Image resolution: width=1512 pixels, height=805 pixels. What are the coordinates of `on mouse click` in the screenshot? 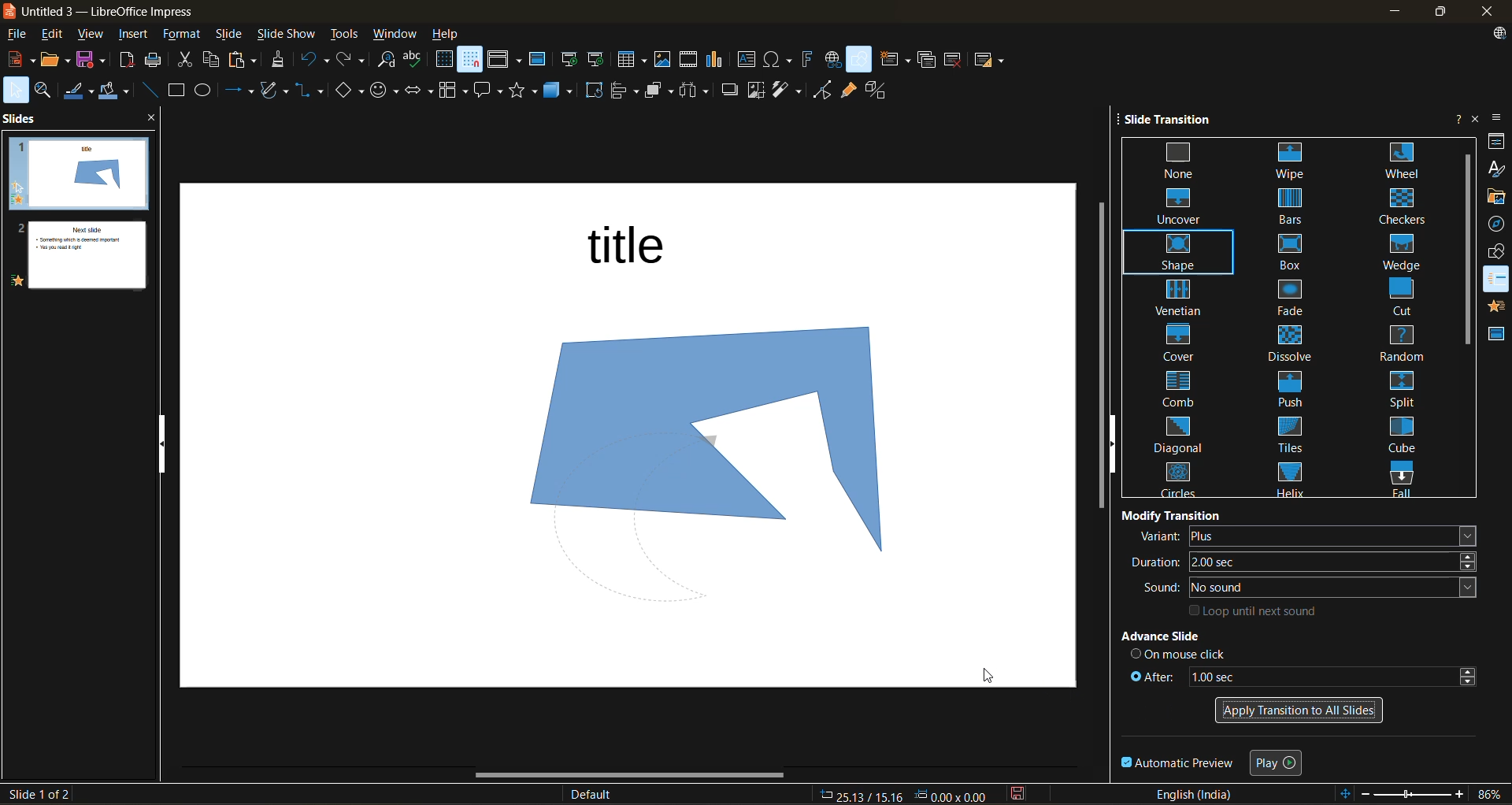 It's located at (1180, 653).